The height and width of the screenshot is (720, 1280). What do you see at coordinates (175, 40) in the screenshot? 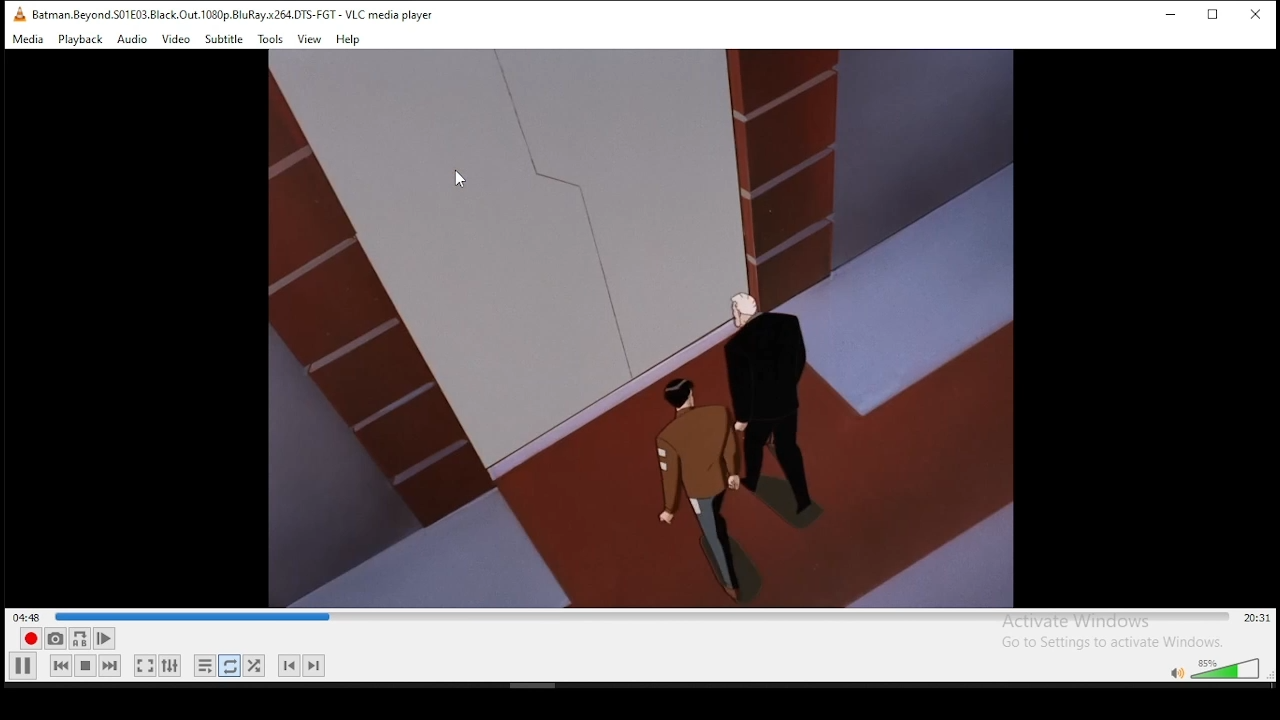
I see `Video` at bounding box center [175, 40].